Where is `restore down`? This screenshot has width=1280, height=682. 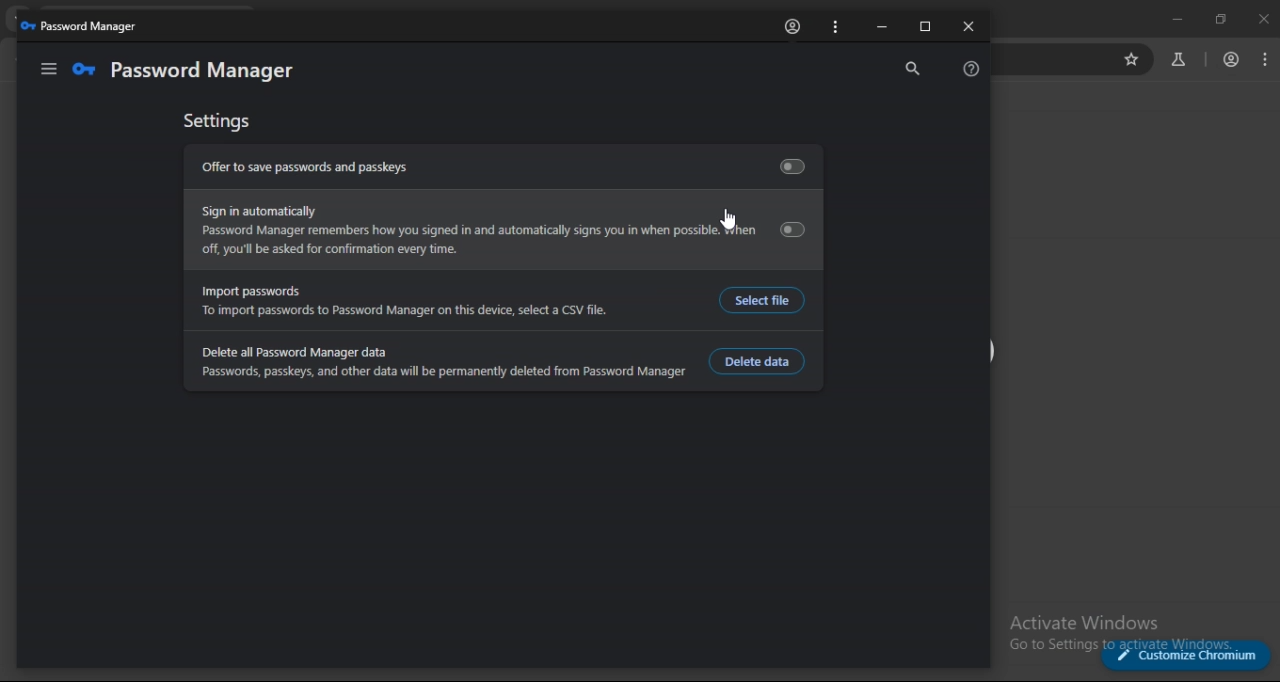 restore down is located at coordinates (924, 28).